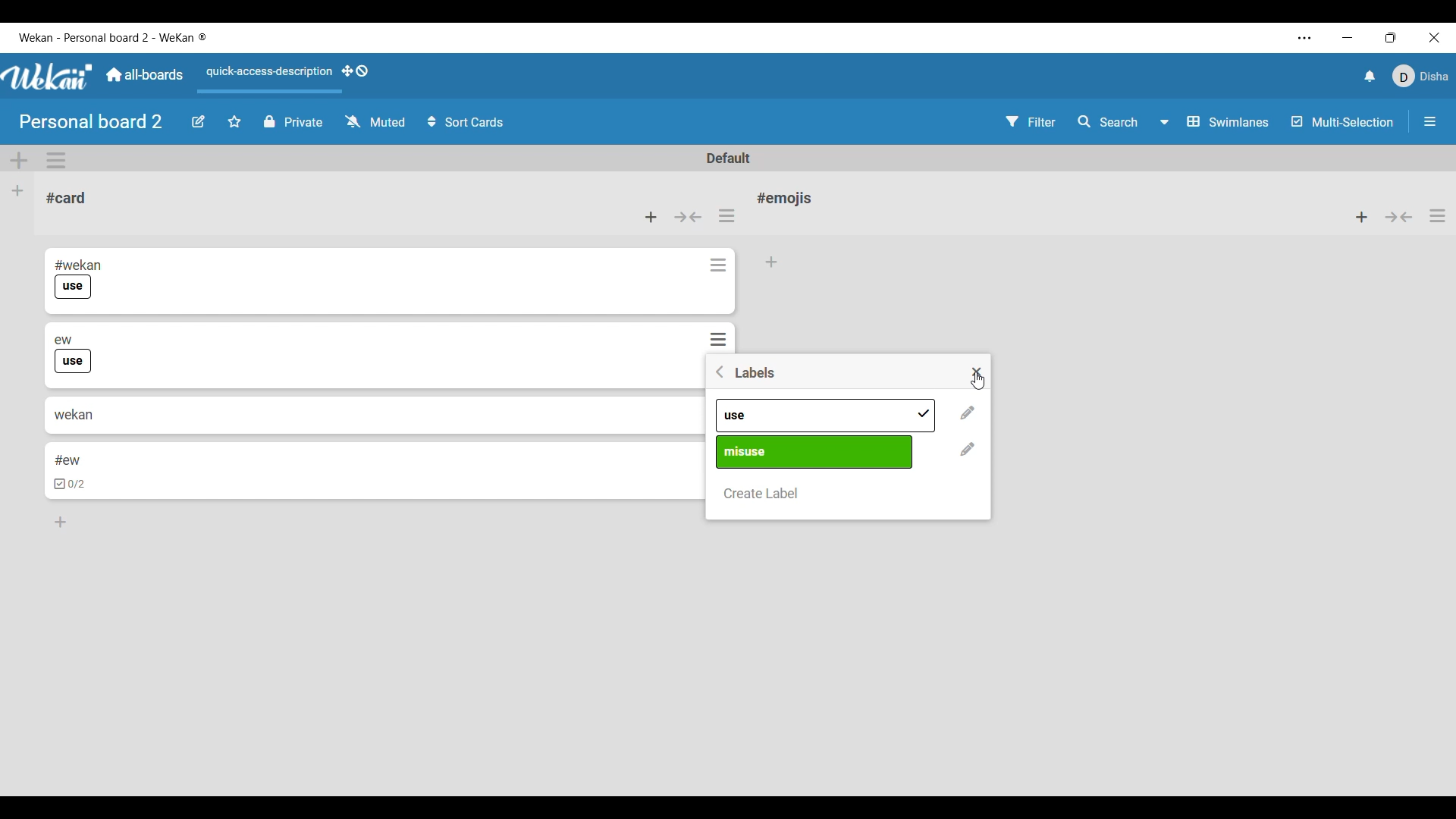  What do you see at coordinates (75, 362) in the screenshot?
I see `use` at bounding box center [75, 362].